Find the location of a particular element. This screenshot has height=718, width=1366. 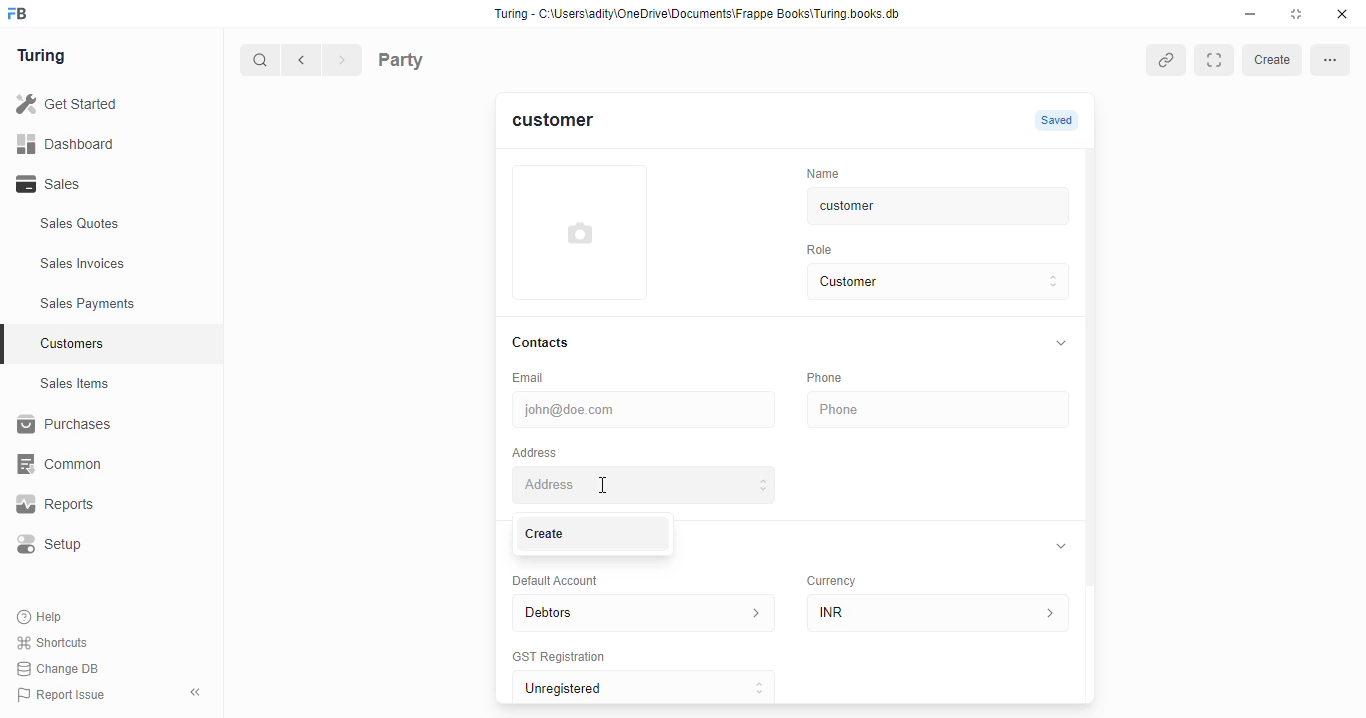

Shortcuts is located at coordinates (58, 643).